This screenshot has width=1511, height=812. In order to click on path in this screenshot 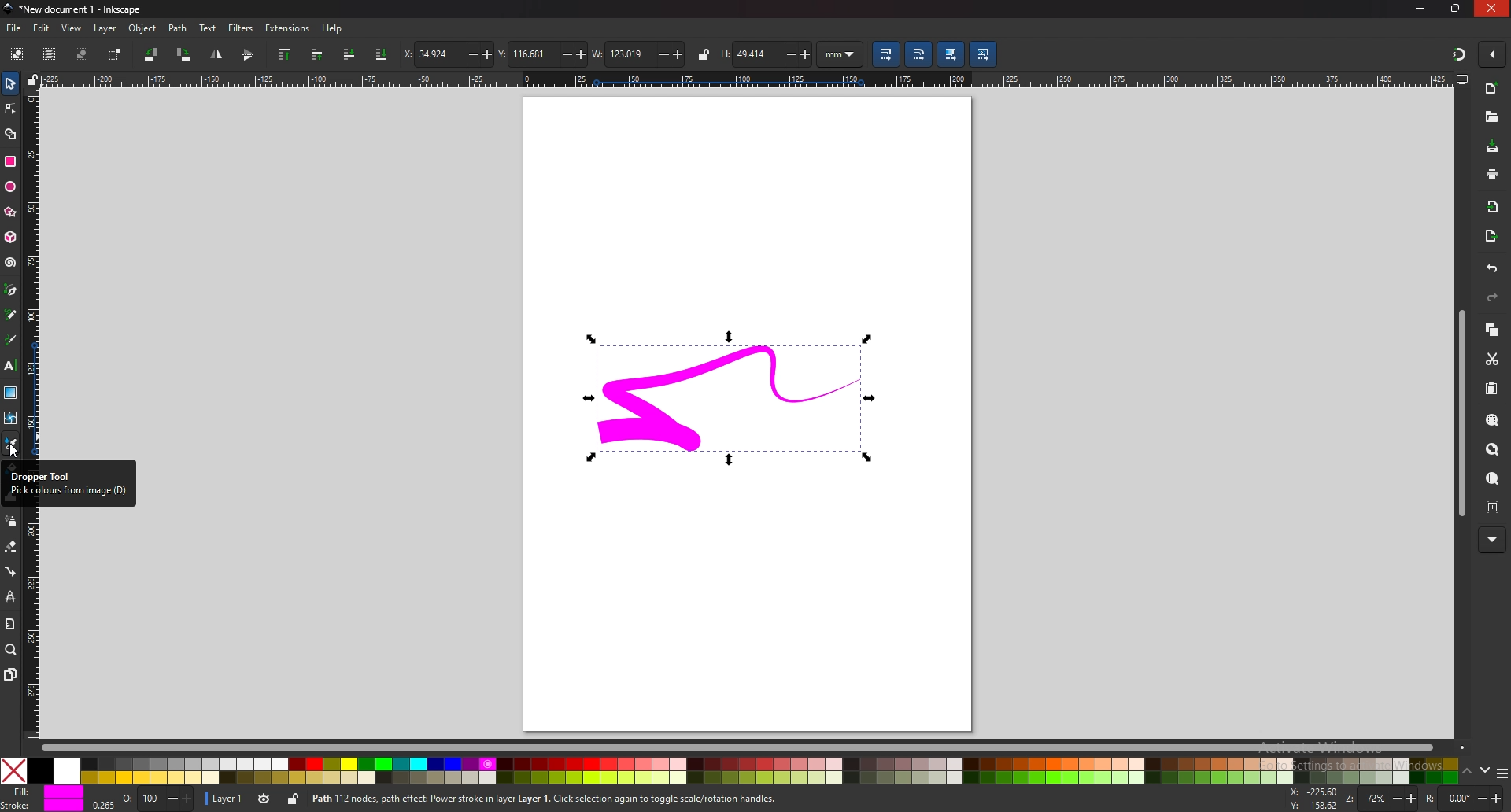, I will do `click(177, 27)`.